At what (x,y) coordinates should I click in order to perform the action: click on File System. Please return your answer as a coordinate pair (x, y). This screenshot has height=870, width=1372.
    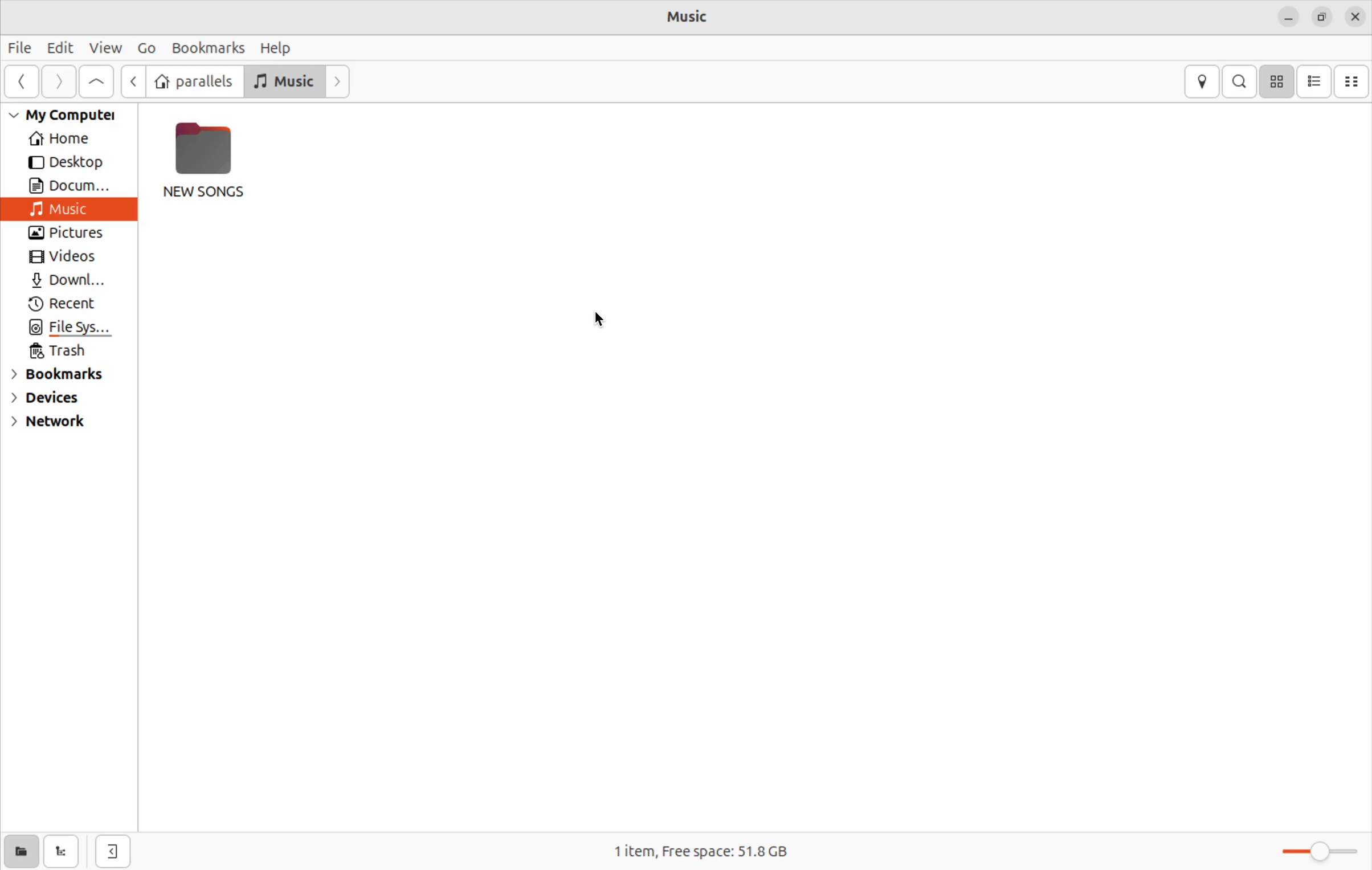
    Looking at the image, I should click on (73, 328).